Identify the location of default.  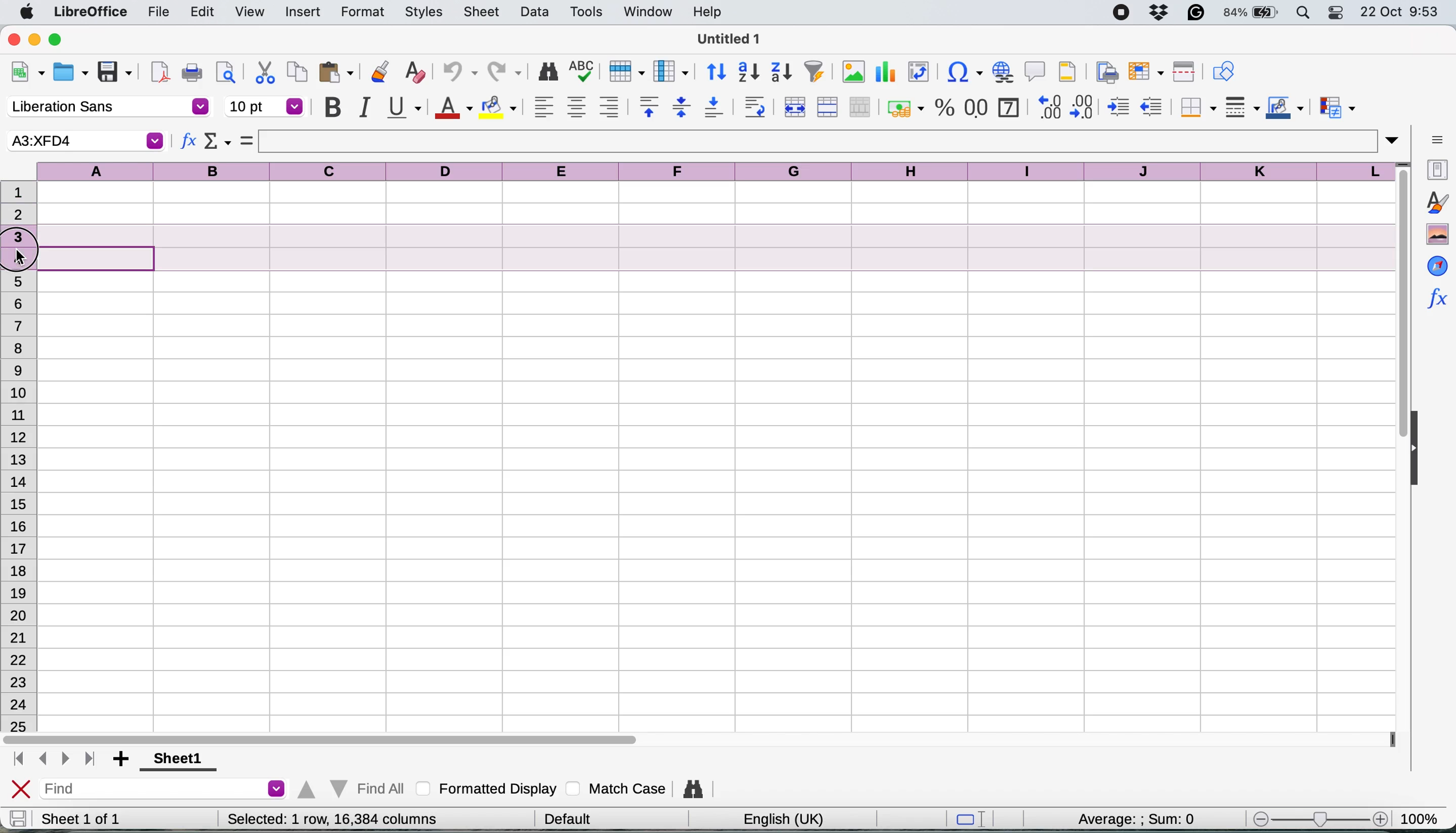
(572, 817).